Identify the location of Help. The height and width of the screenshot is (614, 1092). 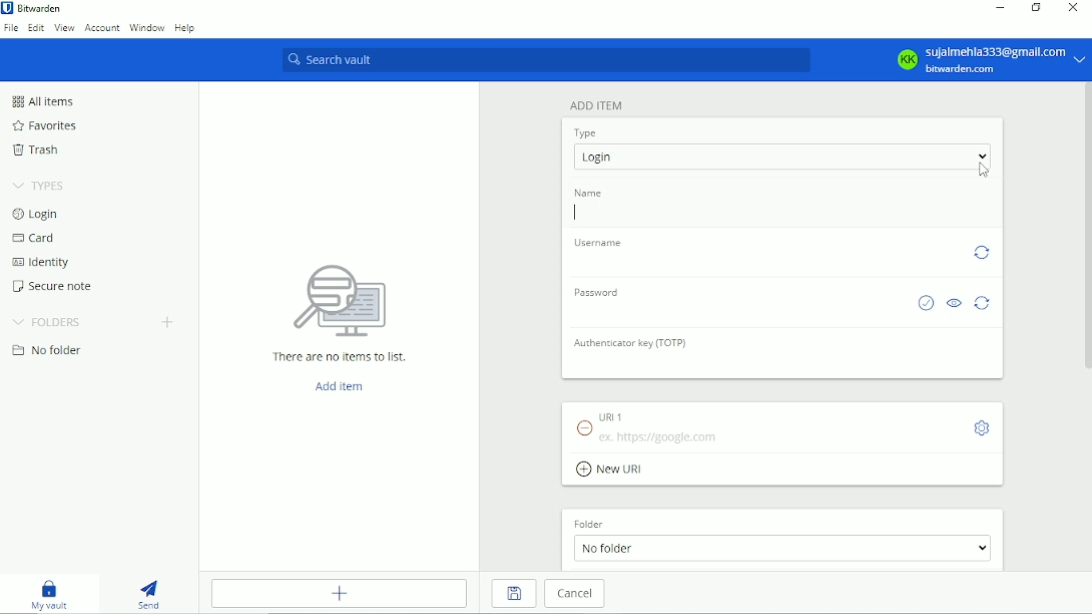
(185, 26).